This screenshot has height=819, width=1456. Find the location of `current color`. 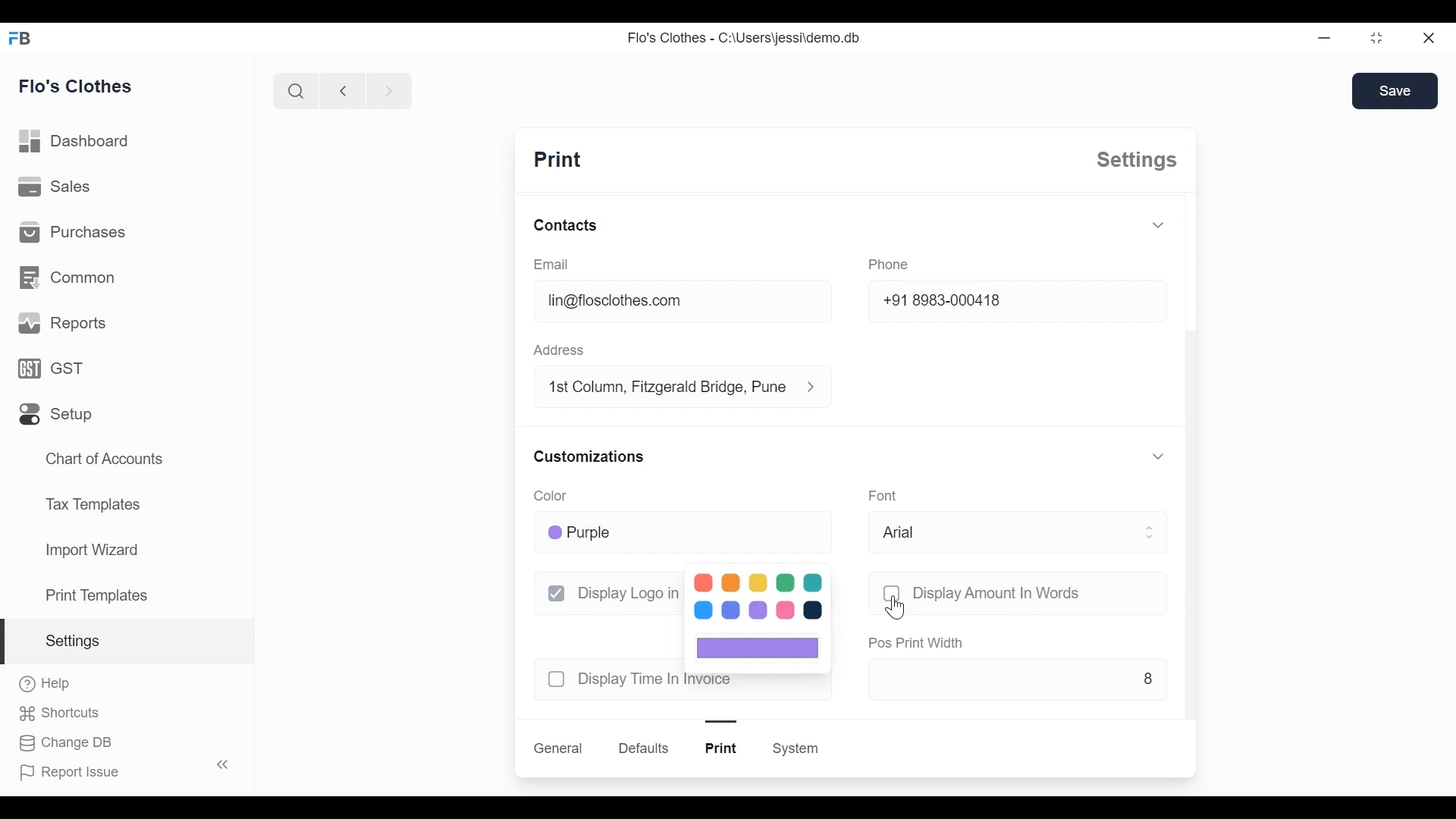

current color is located at coordinates (758, 648).